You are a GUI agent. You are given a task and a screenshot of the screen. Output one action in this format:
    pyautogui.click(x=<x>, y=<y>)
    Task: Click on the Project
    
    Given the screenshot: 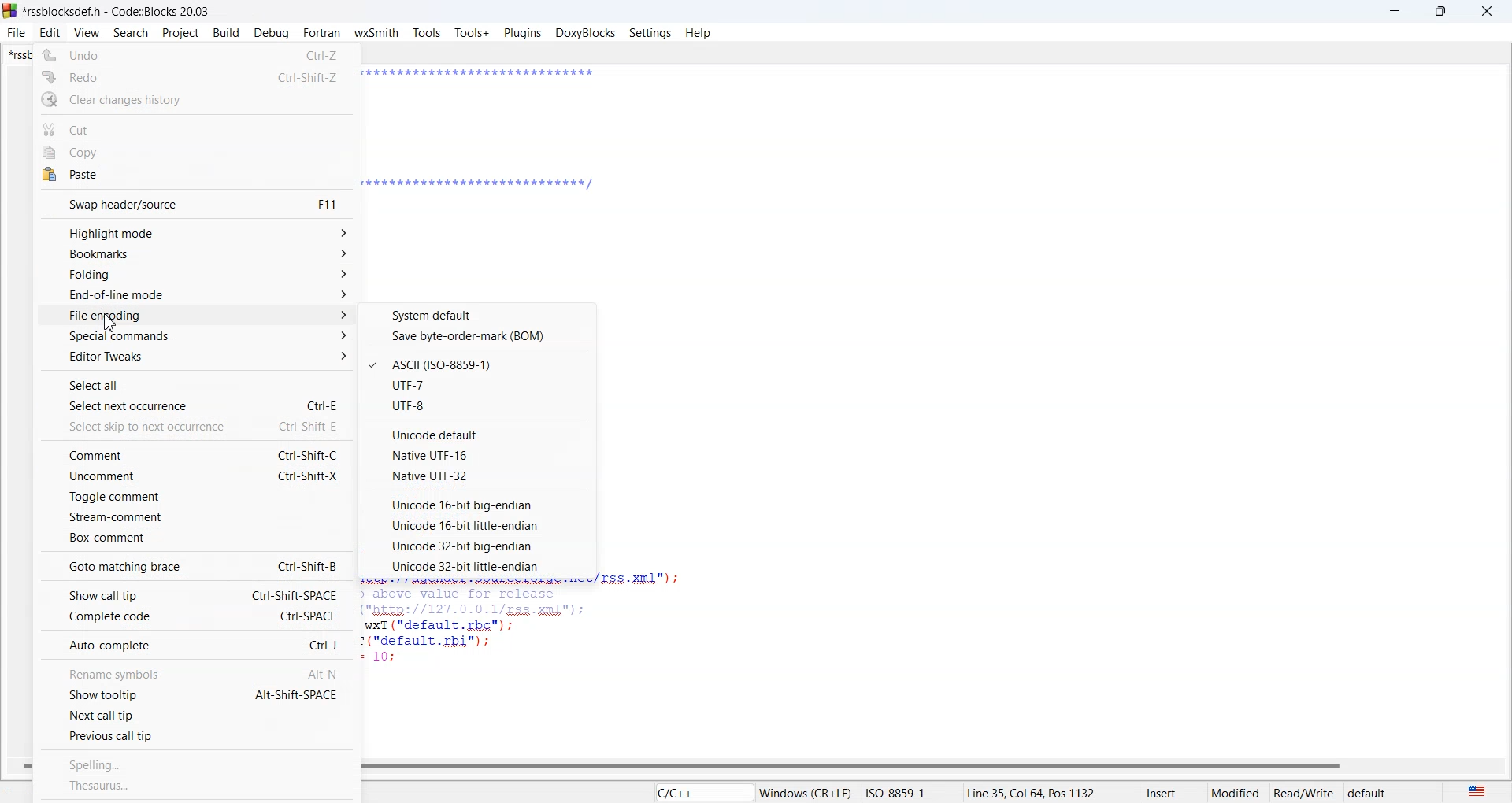 What is the action you would take?
    pyautogui.click(x=180, y=34)
    